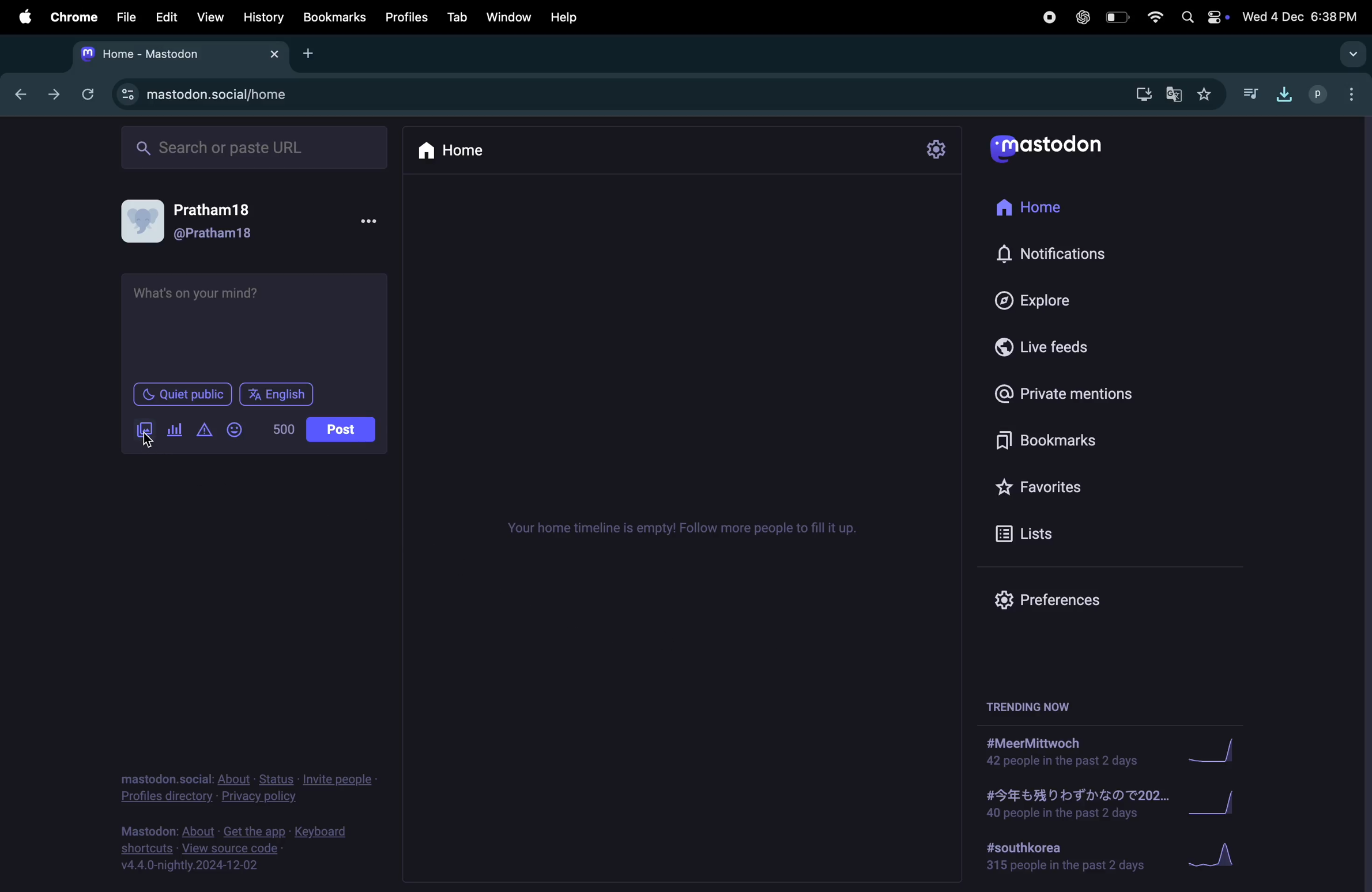 The height and width of the screenshot is (892, 1372). I want to click on window, so click(511, 16).